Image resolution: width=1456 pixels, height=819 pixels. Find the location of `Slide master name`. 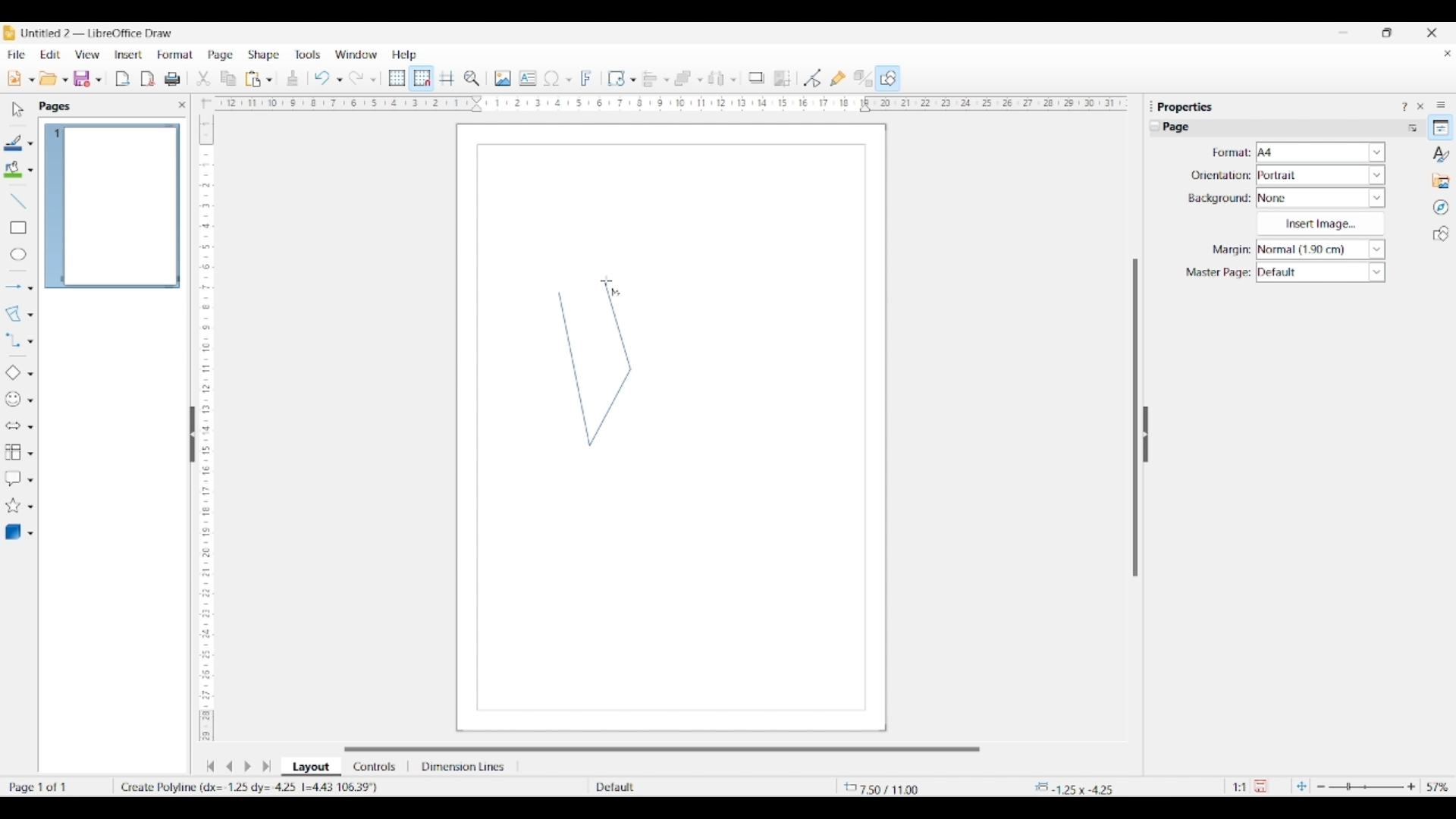

Slide master name is located at coordinates (680, 788).